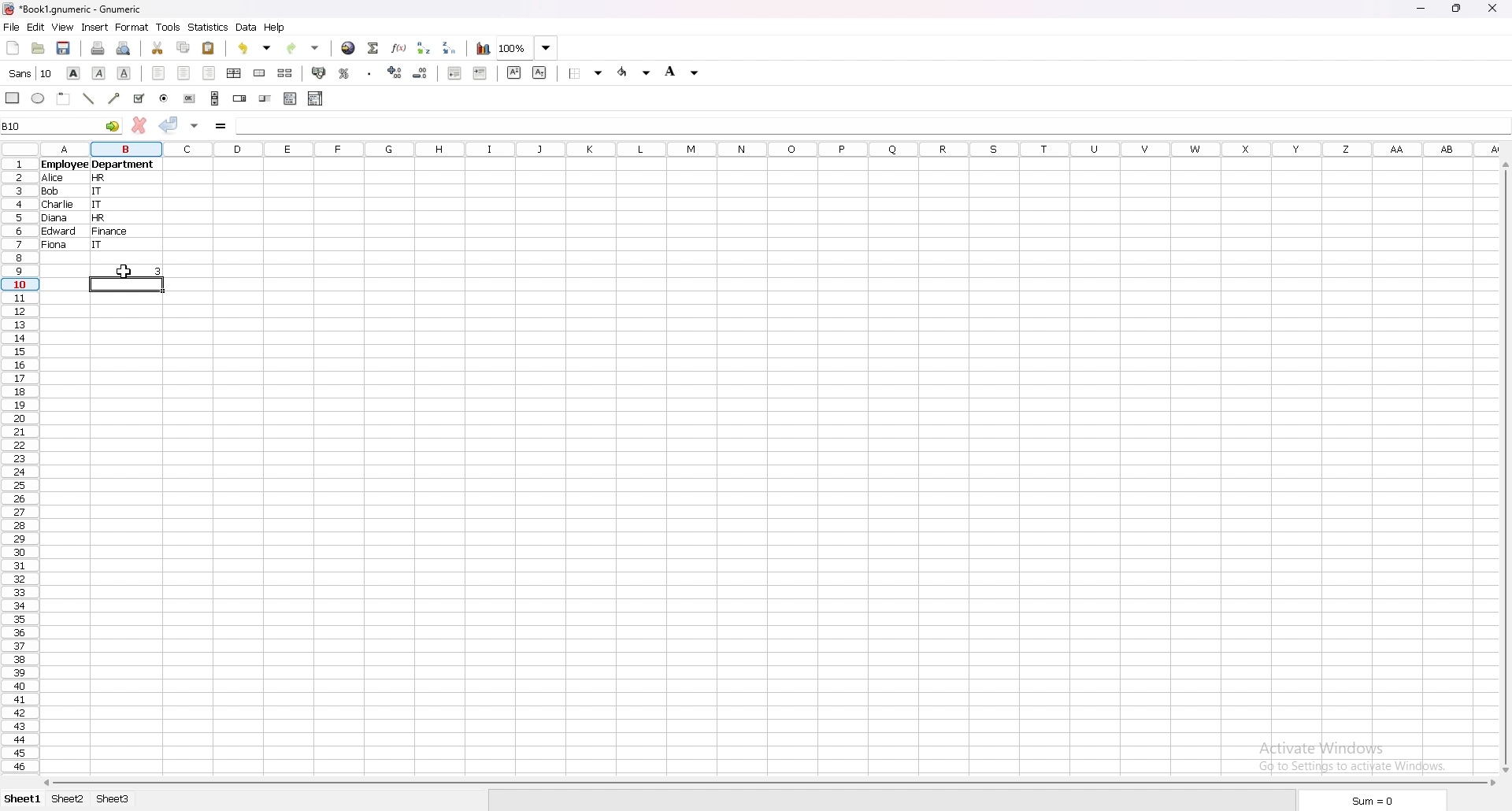  Describe the element at coordinates (209, 74) in the screenshot. I see `right align` at that location.